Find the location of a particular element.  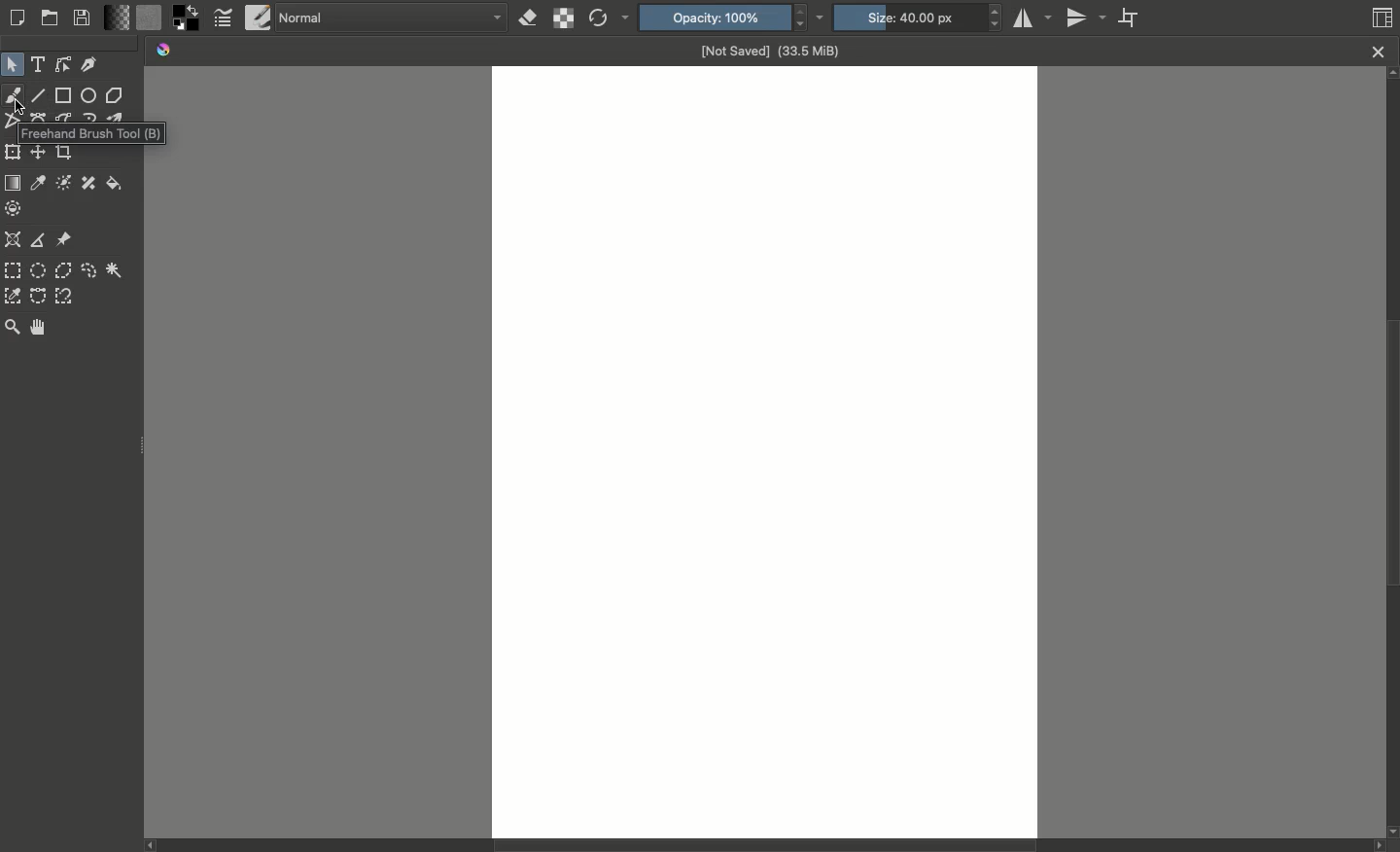

Choose brush preset is located at coordinates (257, 18).